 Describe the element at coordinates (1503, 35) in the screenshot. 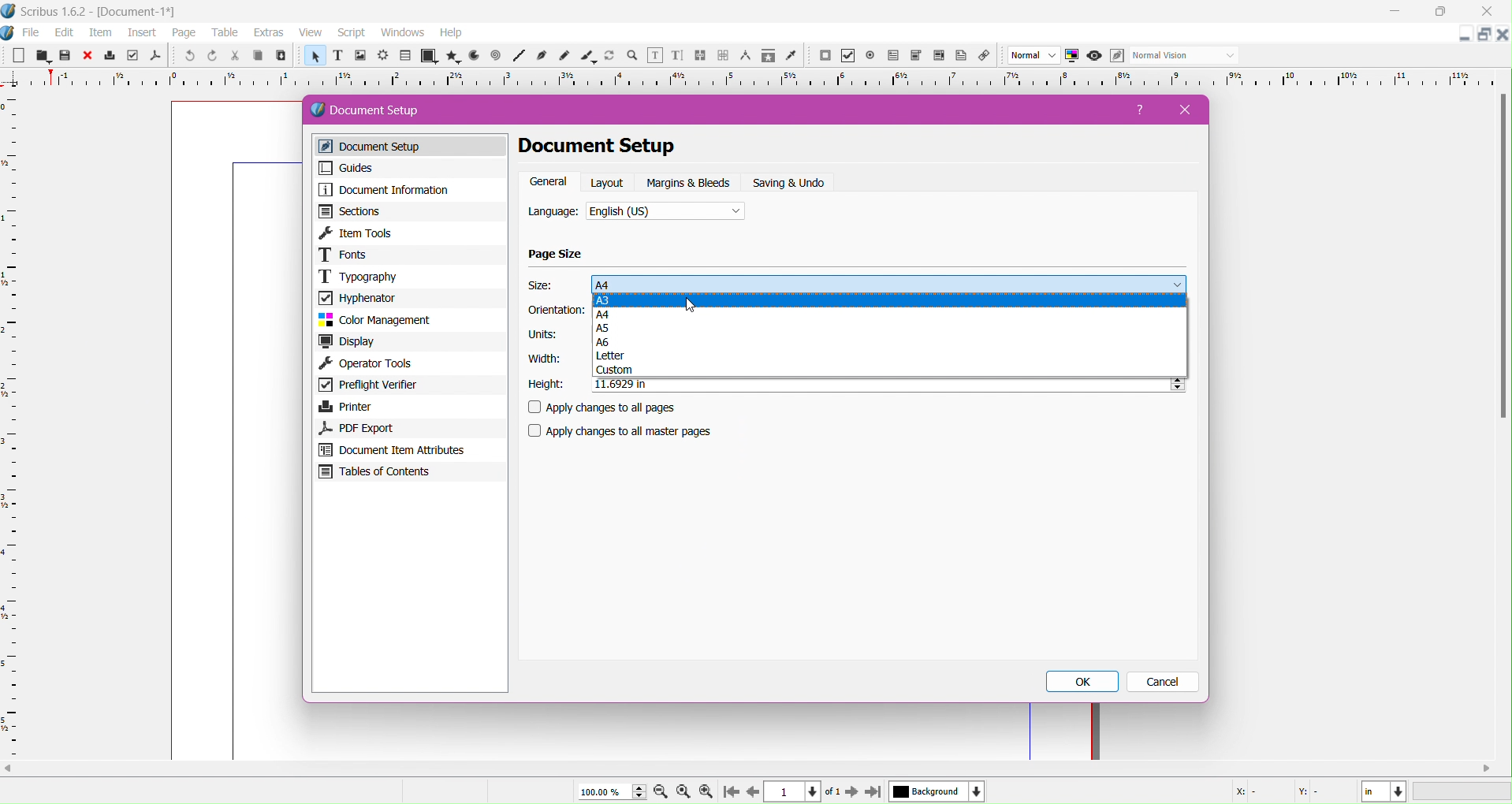

I see `close document` at that location.